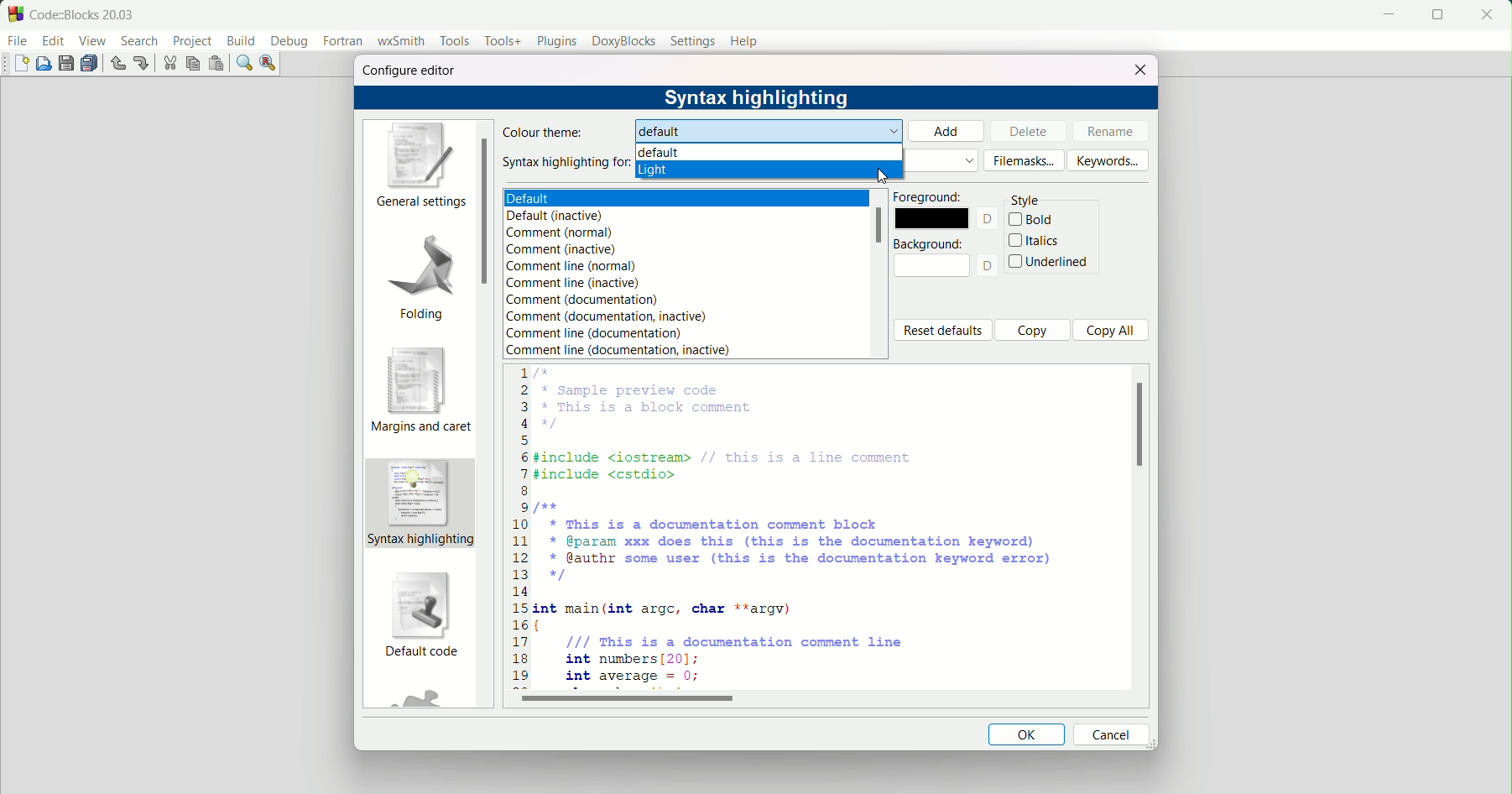  What do you see at coordinates (343, 42) in the screenshot?
I see `fortran` at bounding box center [343, 42].